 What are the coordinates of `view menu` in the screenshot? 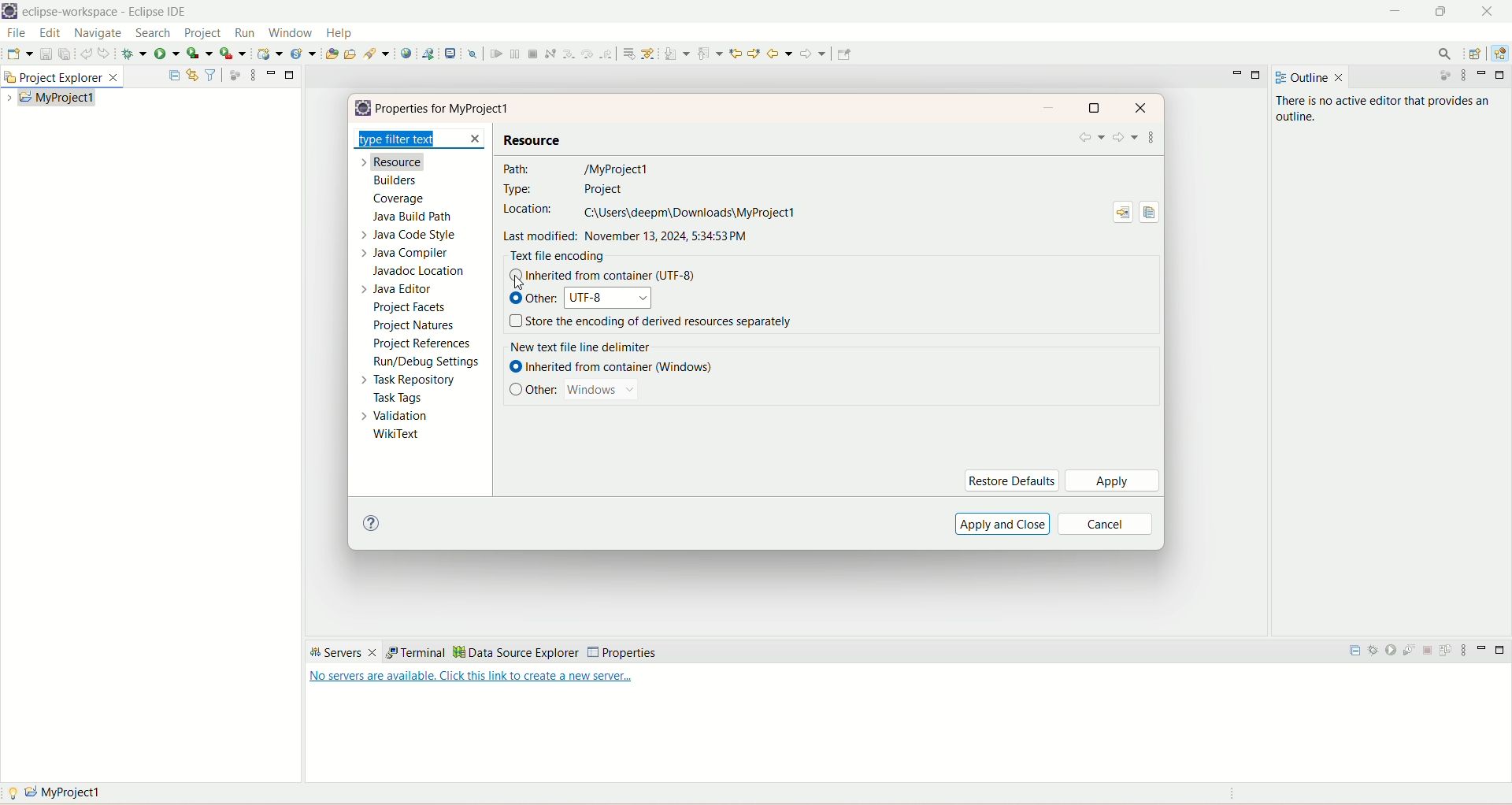 It's located at (1462, 75).